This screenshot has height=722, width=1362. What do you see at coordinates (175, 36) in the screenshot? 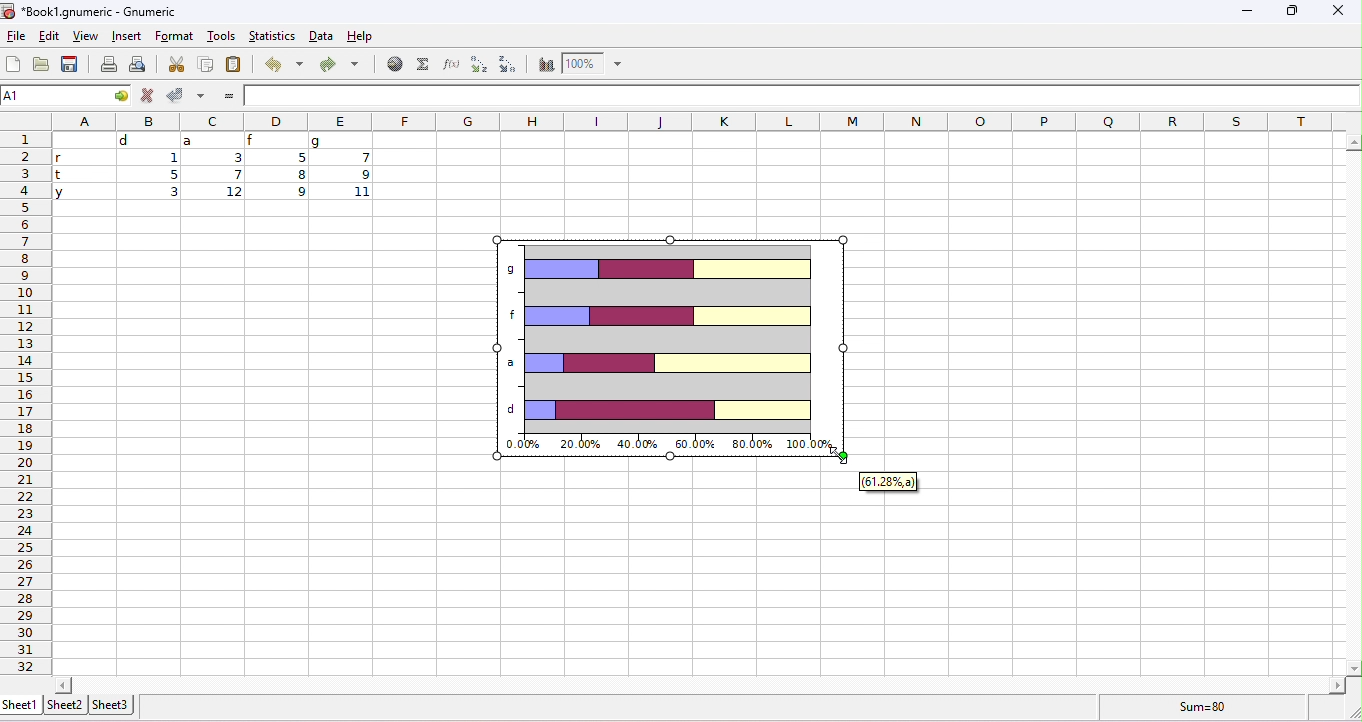
I see `format` at bounding box center [175, 36].